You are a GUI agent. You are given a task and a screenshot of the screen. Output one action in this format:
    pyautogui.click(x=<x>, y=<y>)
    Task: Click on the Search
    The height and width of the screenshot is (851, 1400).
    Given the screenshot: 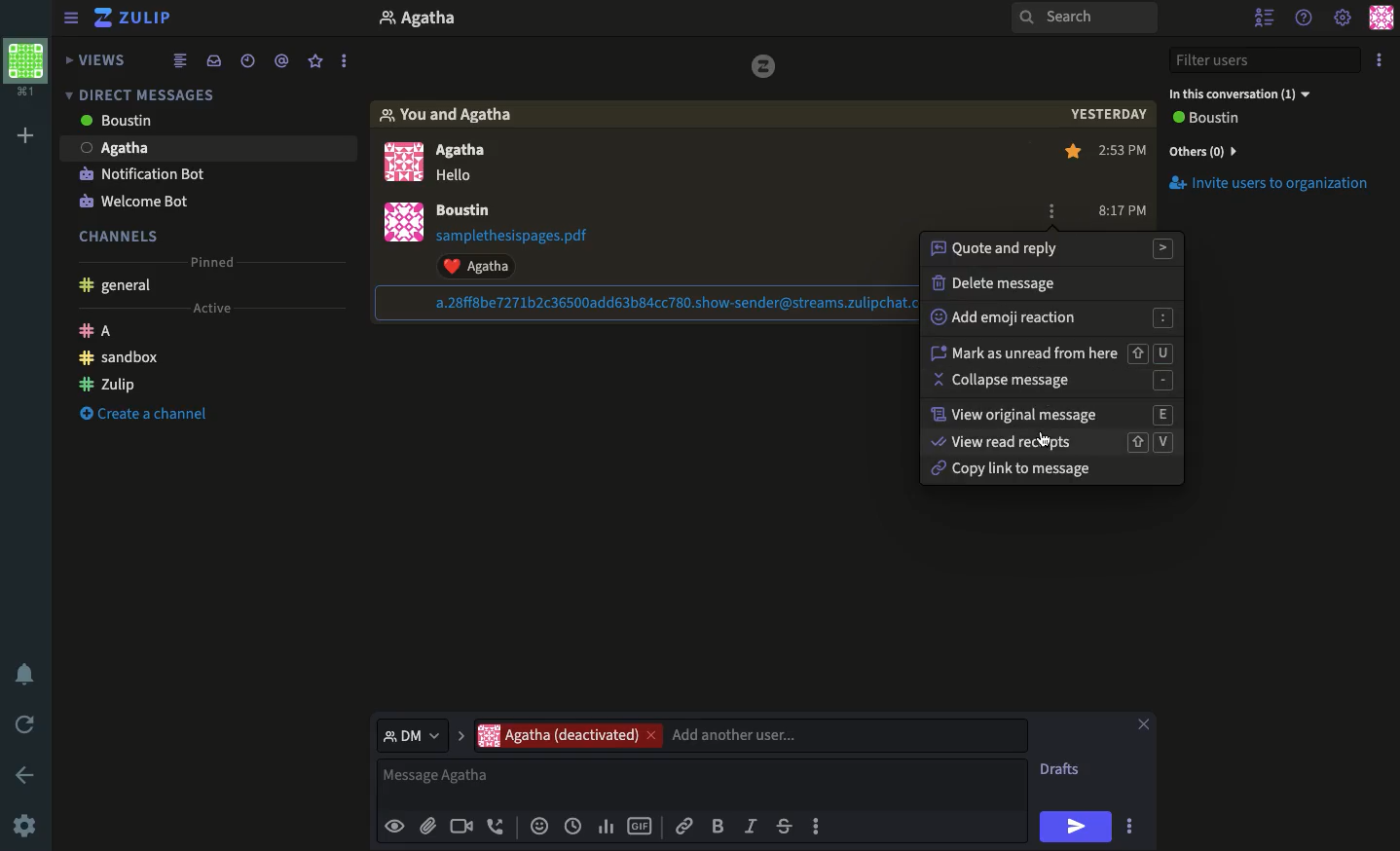 What is the action you would take?
    pyautogui.click(x=1085, y=18)
    